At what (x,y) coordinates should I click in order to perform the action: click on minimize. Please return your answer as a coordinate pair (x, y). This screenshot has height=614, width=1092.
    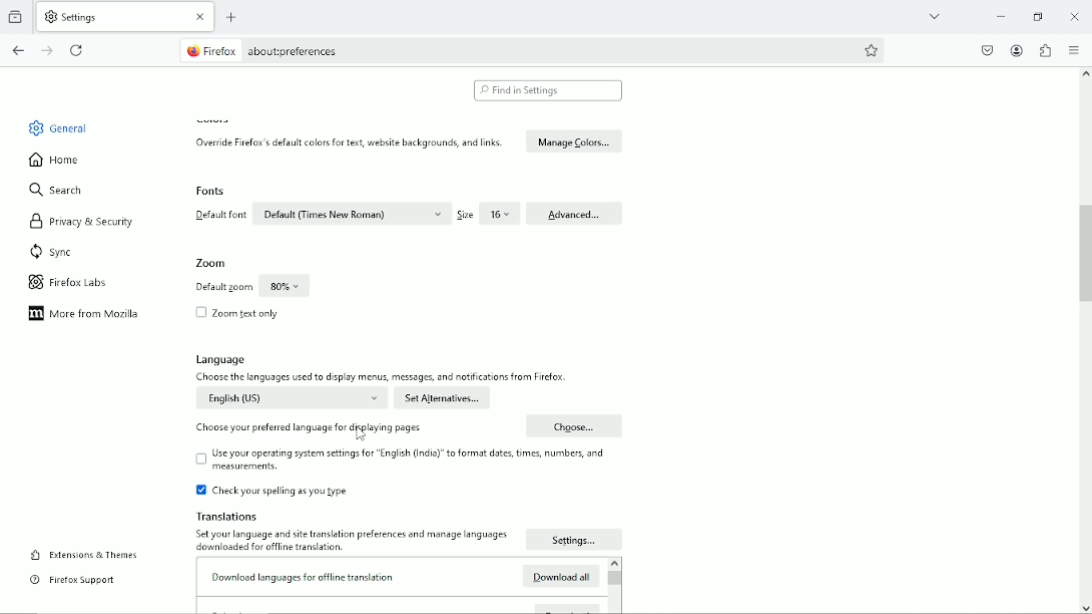
    Looking at the image, I should click on (998, 15).